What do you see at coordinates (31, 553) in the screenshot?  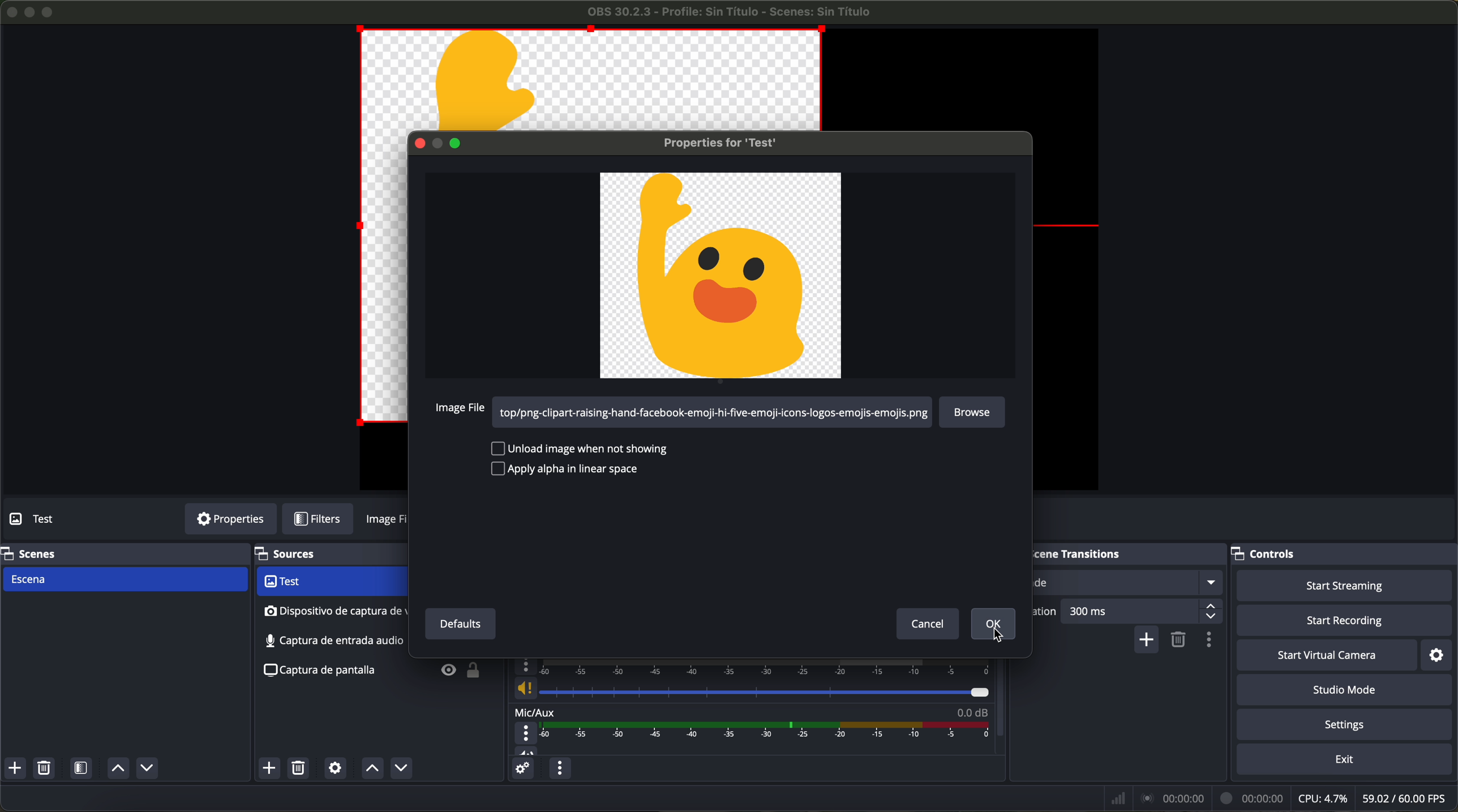 I see `scenes` at bounding box center [31, 553].